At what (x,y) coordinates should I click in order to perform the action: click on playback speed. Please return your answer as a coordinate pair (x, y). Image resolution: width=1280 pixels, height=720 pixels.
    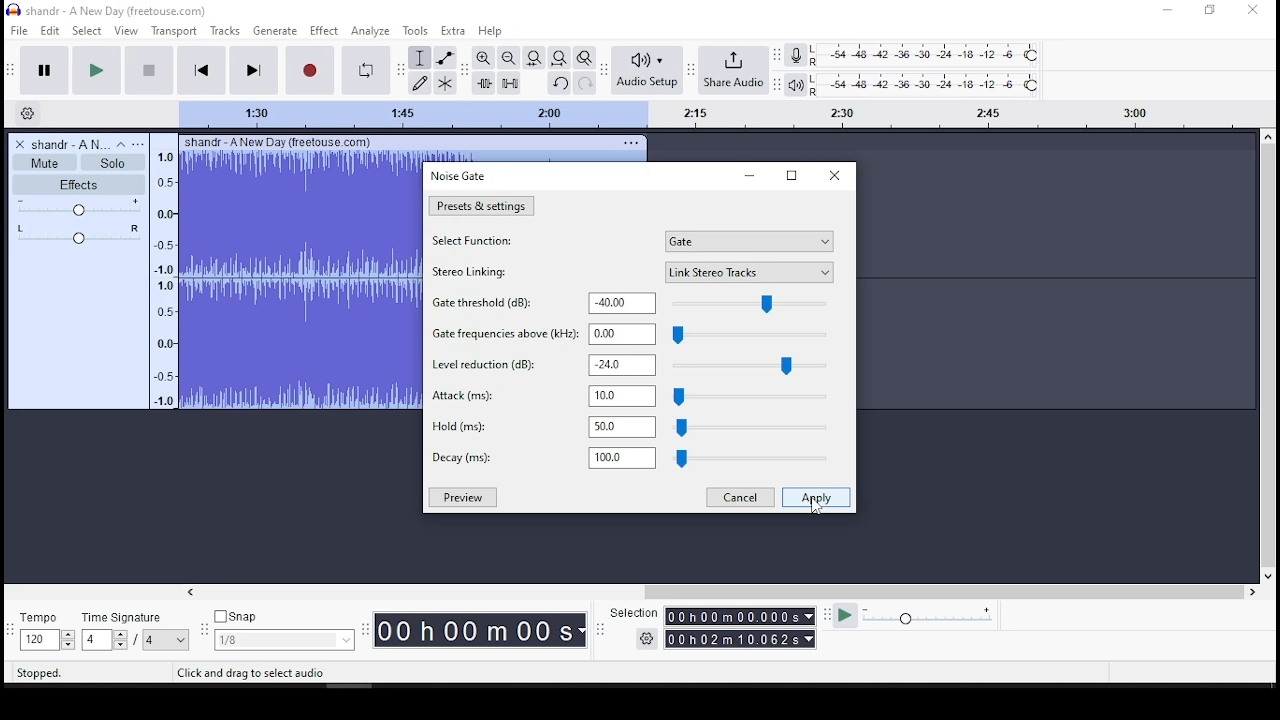
    Looking at the image, I should click on (920, 618).